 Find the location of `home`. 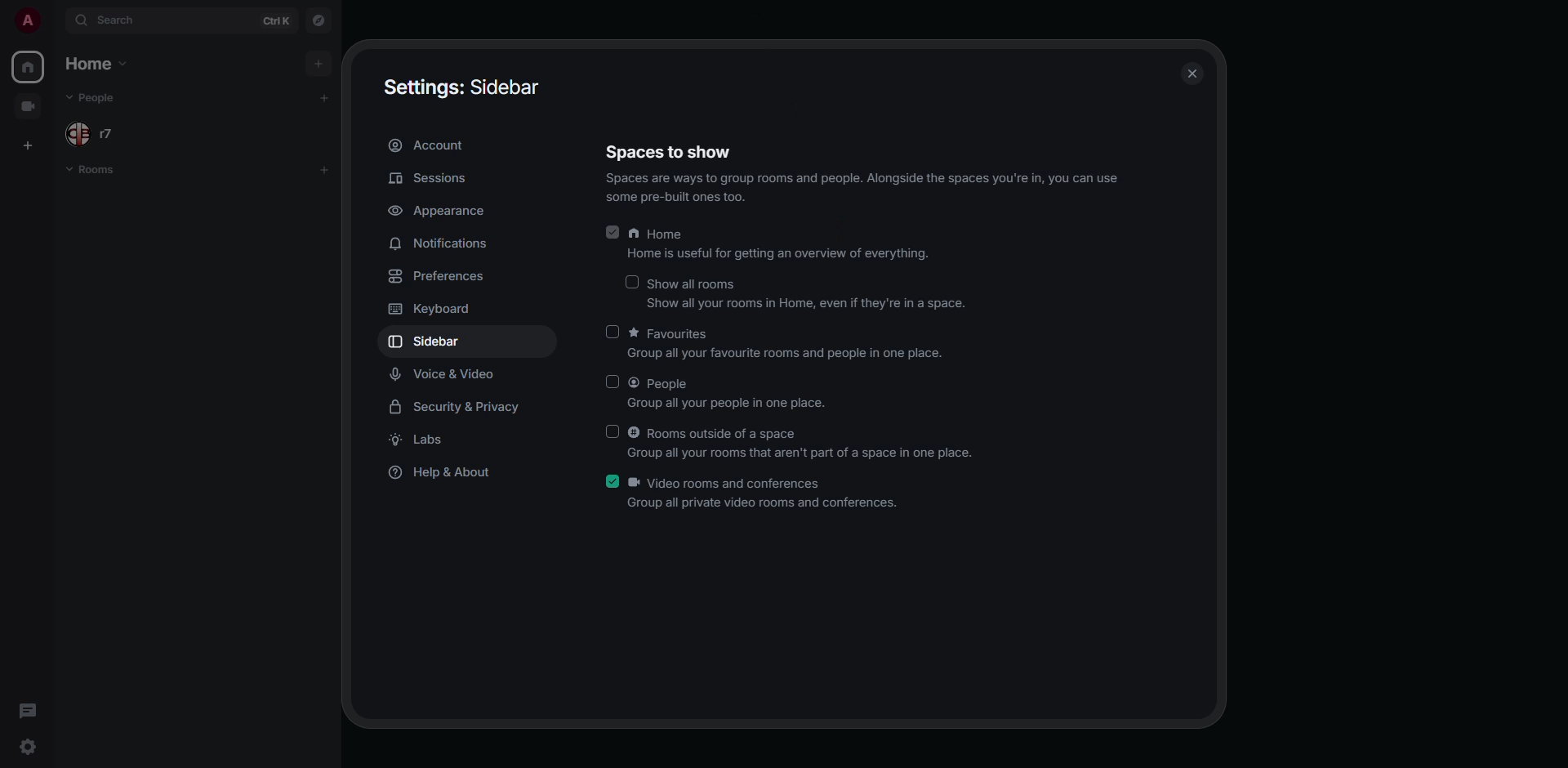

home is located at coordinates (95, 64).